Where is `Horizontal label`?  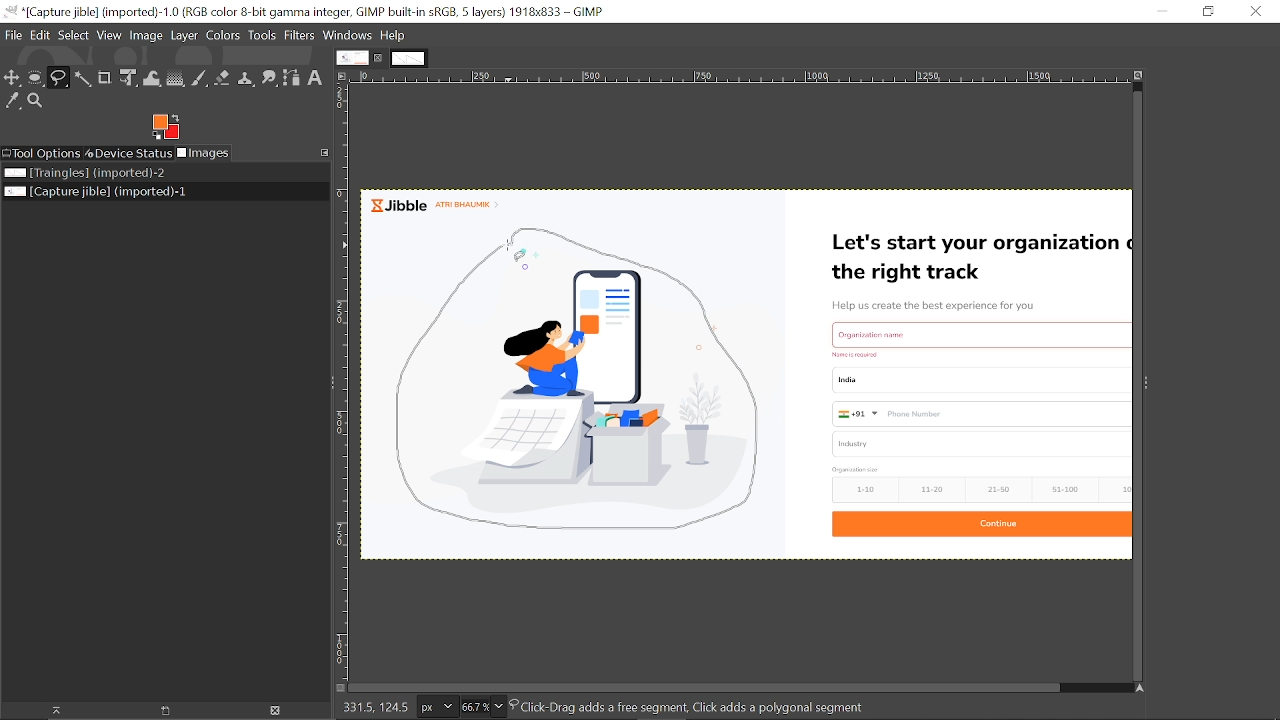 Horizontal label is located at coordinates (742, 78).